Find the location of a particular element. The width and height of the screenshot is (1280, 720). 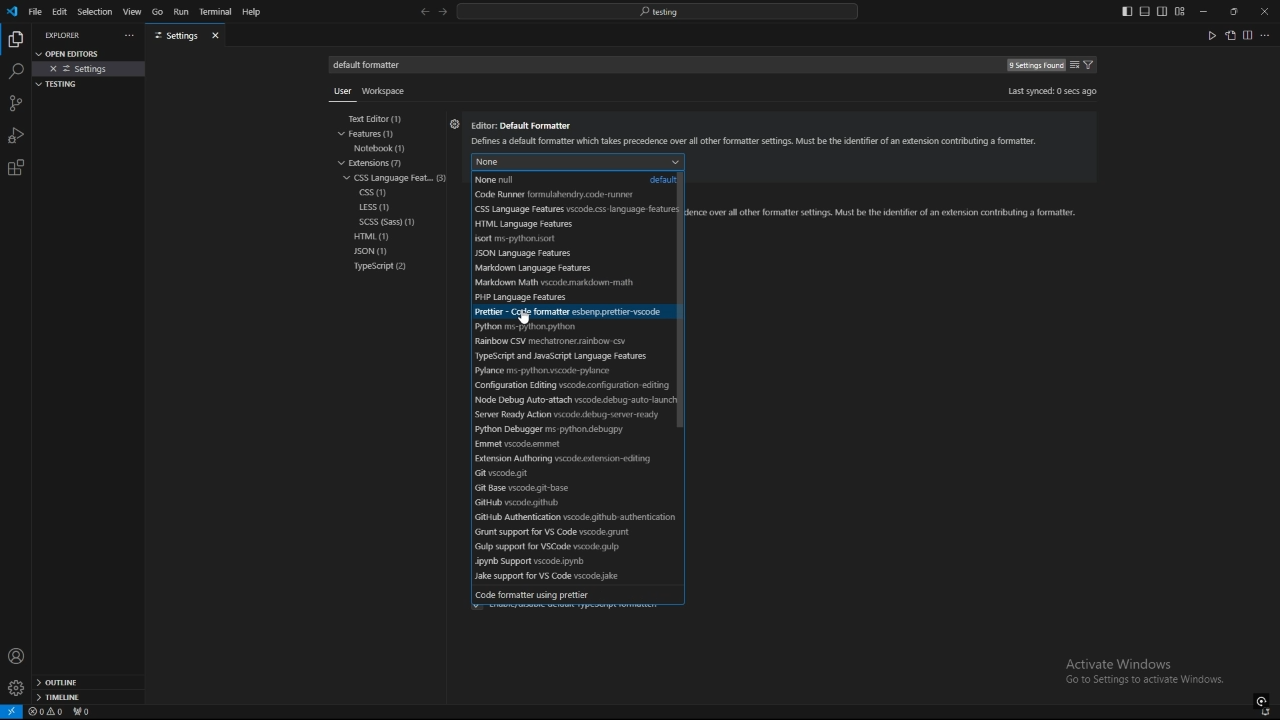

code formatter using prettier is located at coordinates (570, 594).